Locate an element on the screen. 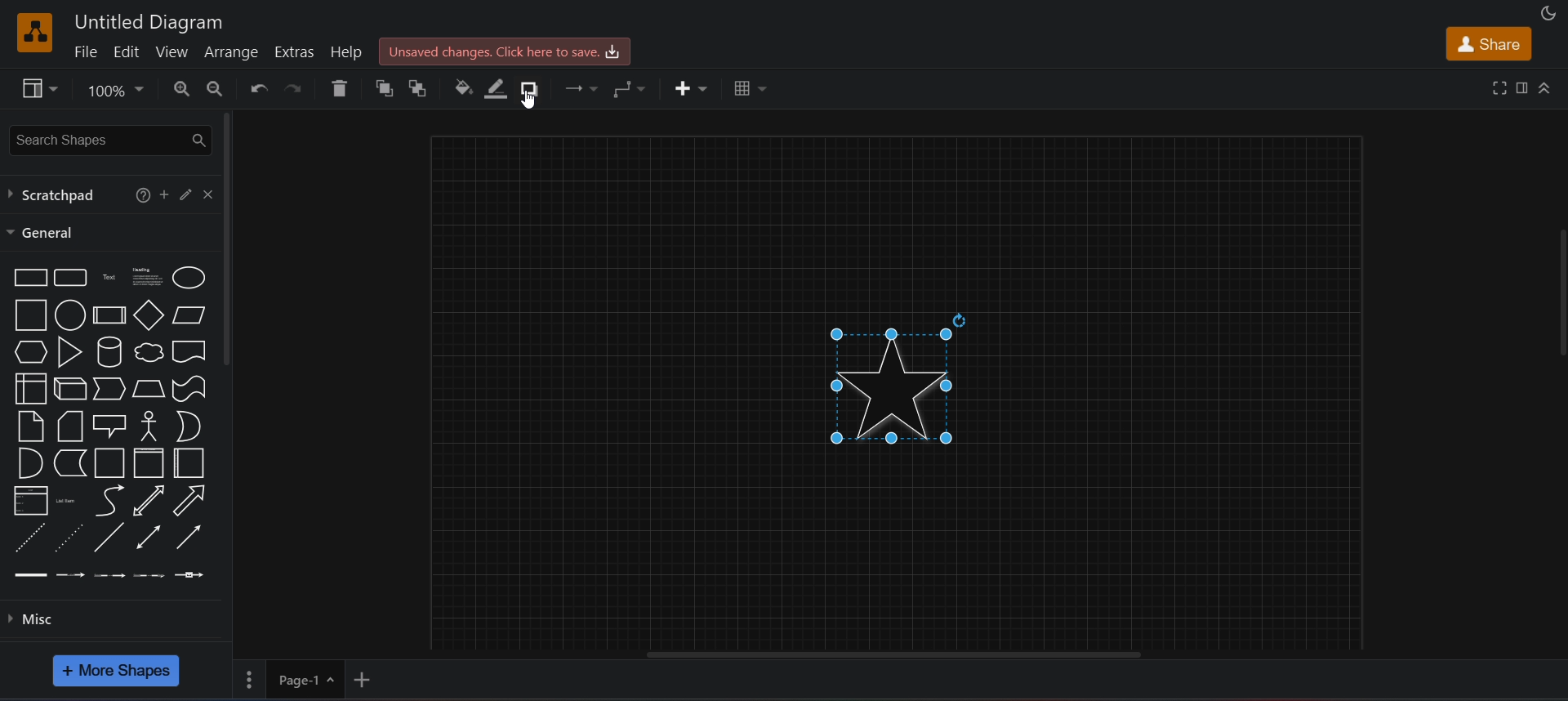 The width and height of the screenshot is (1568, 701). view is located at coordinates (177, 51).